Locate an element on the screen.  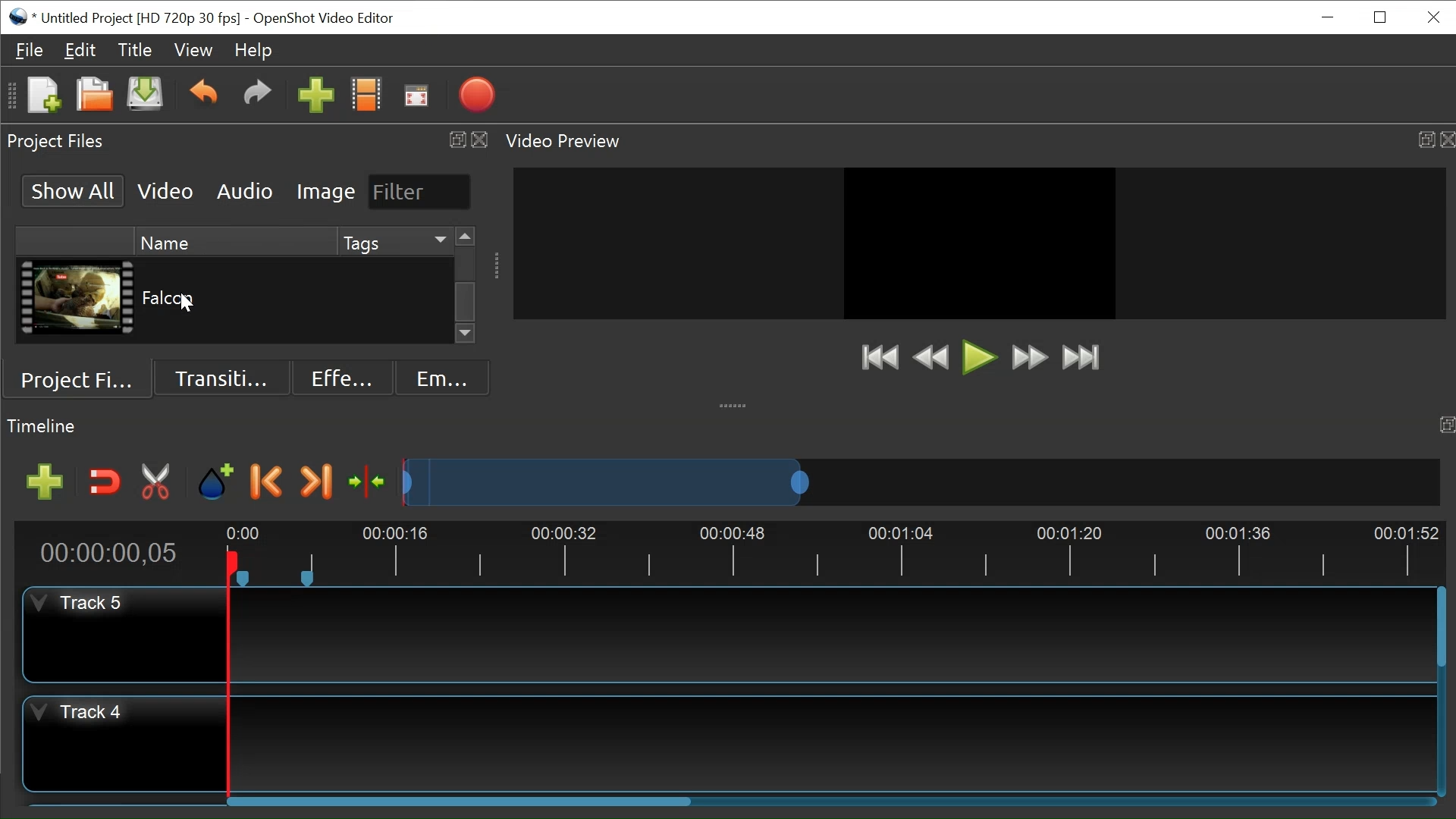
New Project is located at coordinates (42, 96).